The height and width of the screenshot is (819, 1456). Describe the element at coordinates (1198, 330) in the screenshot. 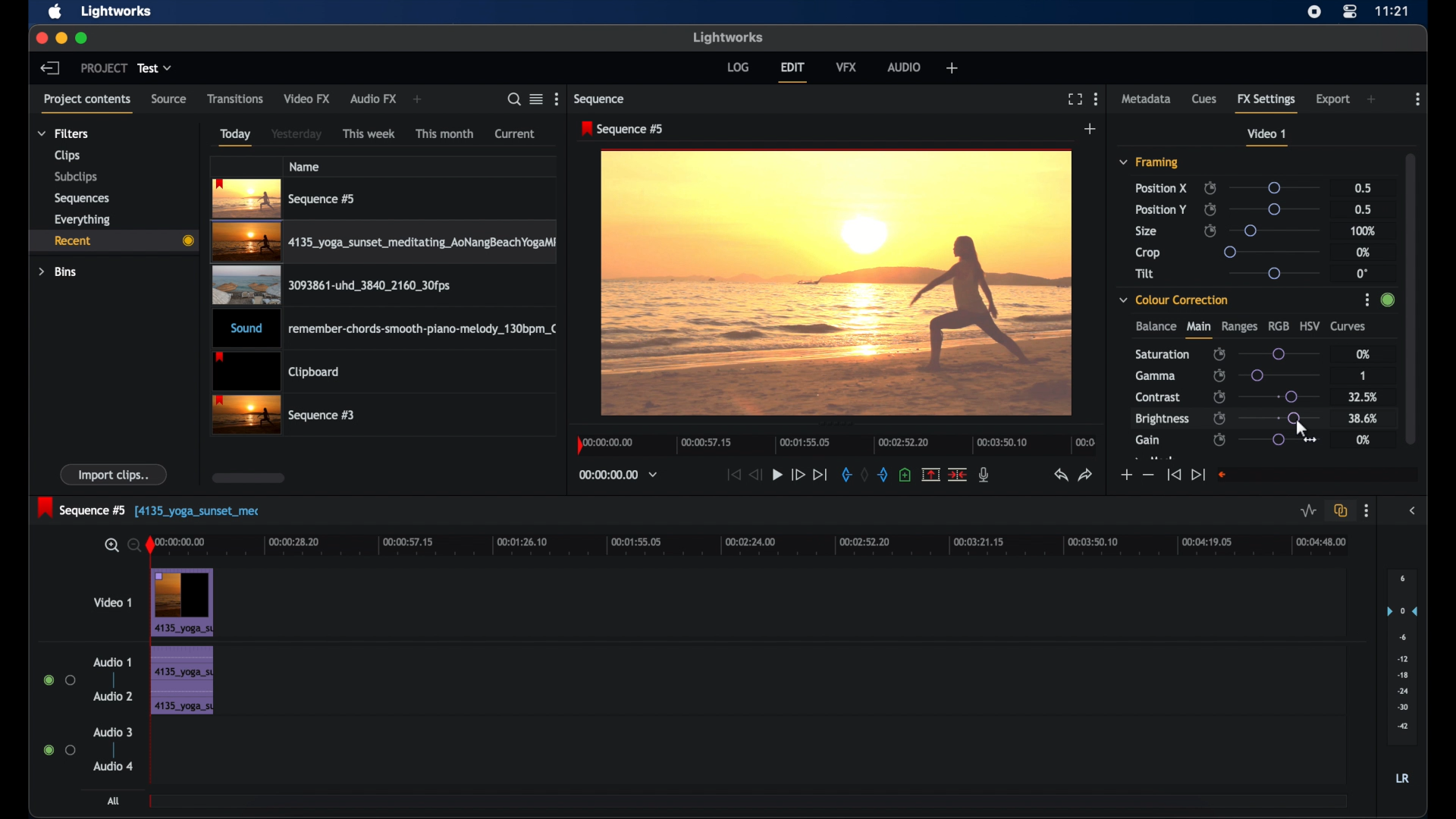

I see `main` at that location.